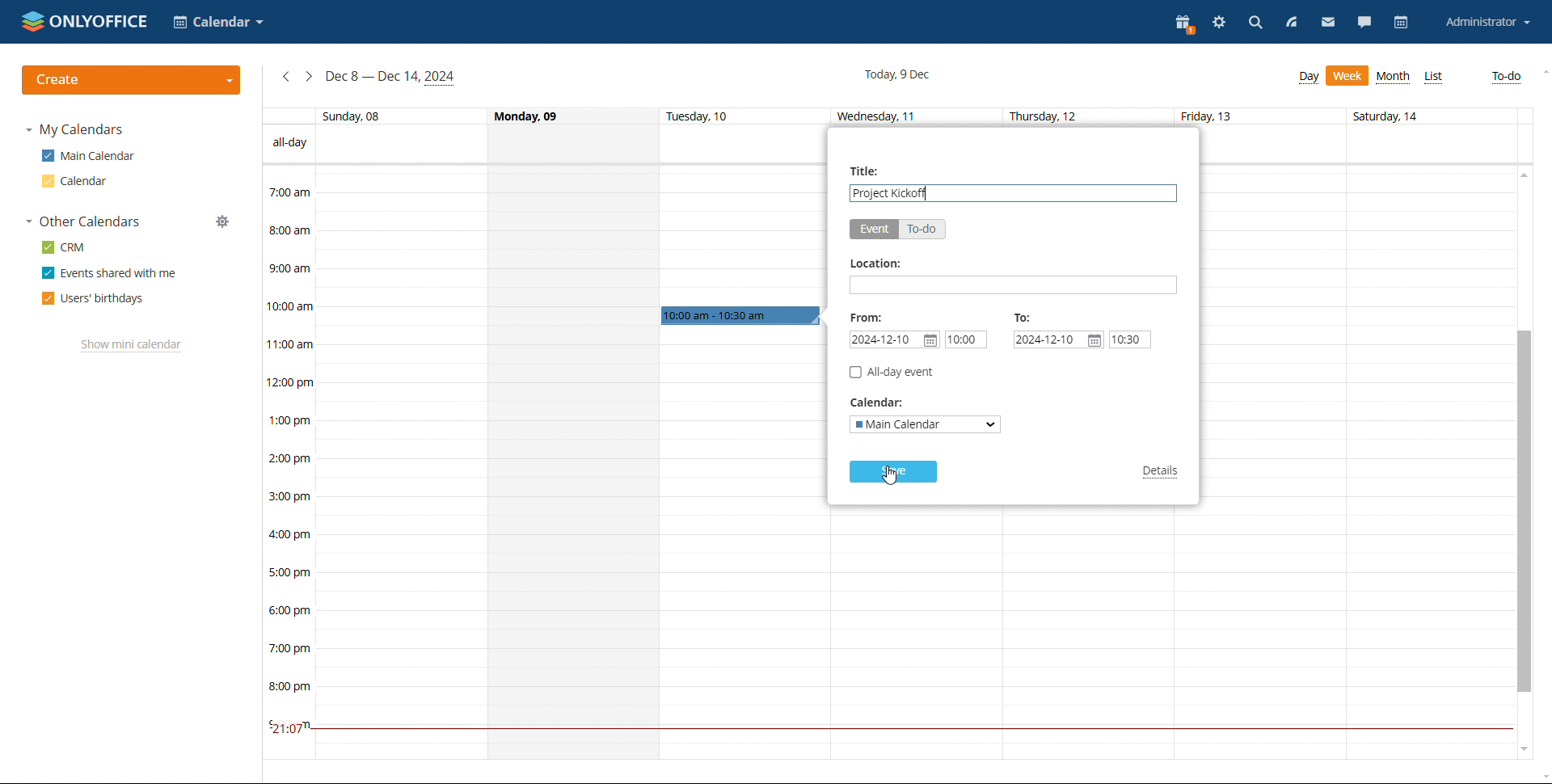  What do you see at coordinates (874, 230) in the screenshot?
I see `event` at bounding box center [874, 230].